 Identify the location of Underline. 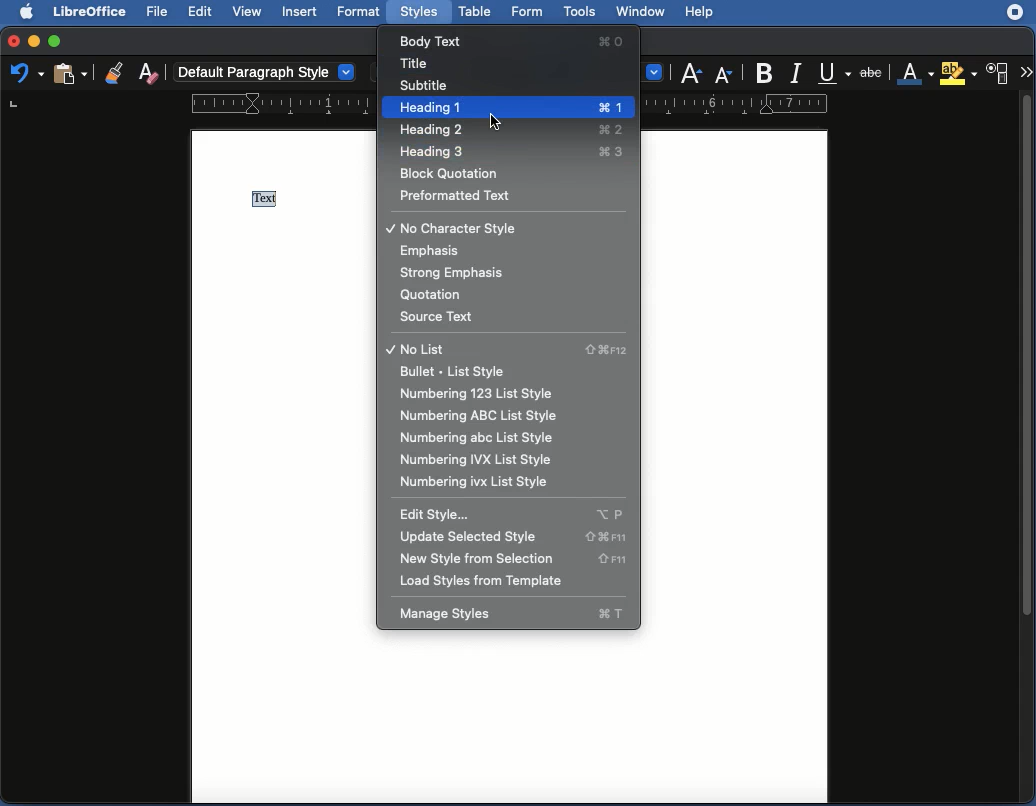
(836, 73).